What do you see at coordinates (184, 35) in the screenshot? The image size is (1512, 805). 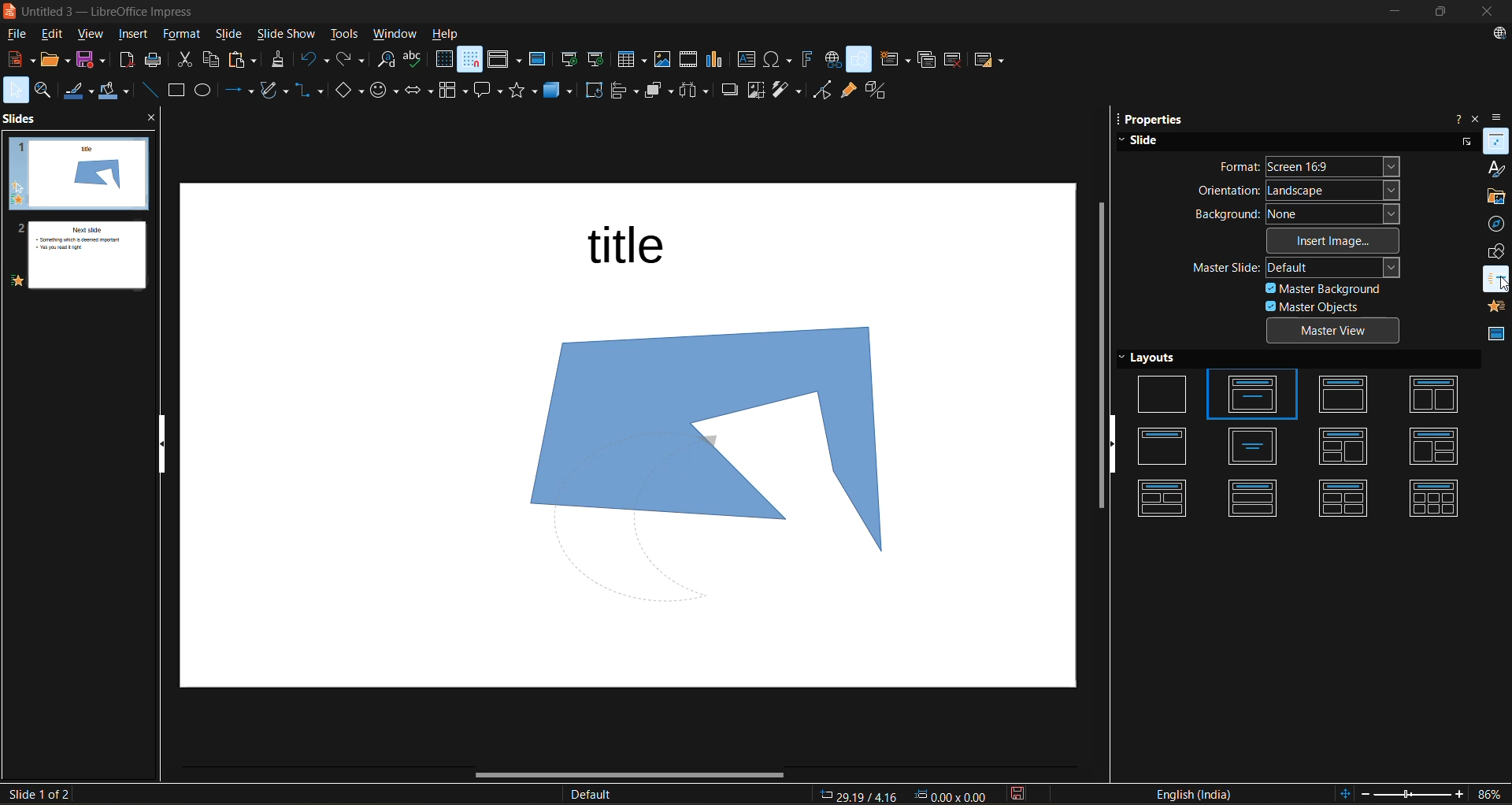 I see `format` at bounding box center [184, 35].